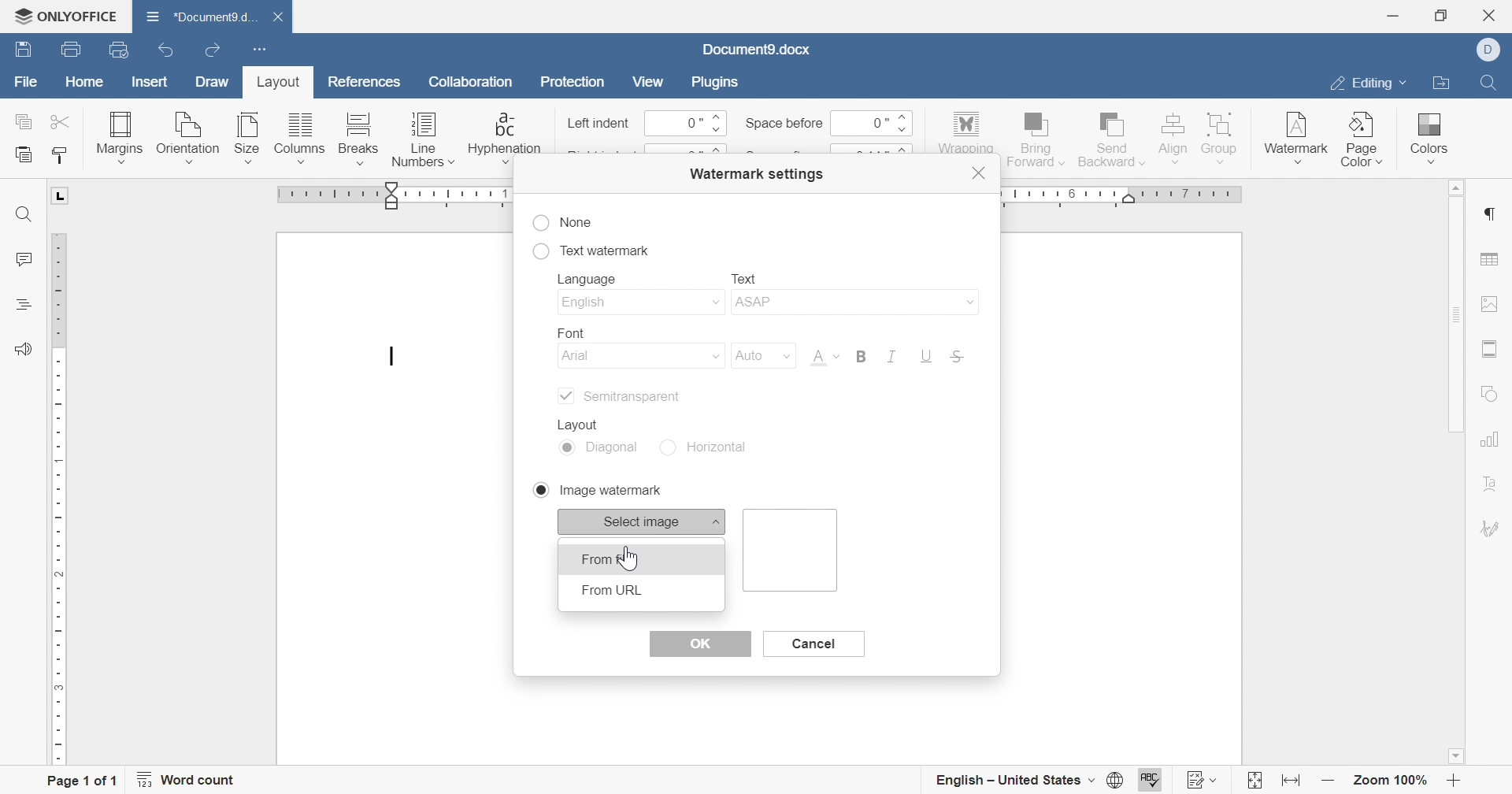 The width and height of the screenshot is (1512, 794). Describe the element at coordinates (643, 521) in the screenshot. I see `select map` at that location.